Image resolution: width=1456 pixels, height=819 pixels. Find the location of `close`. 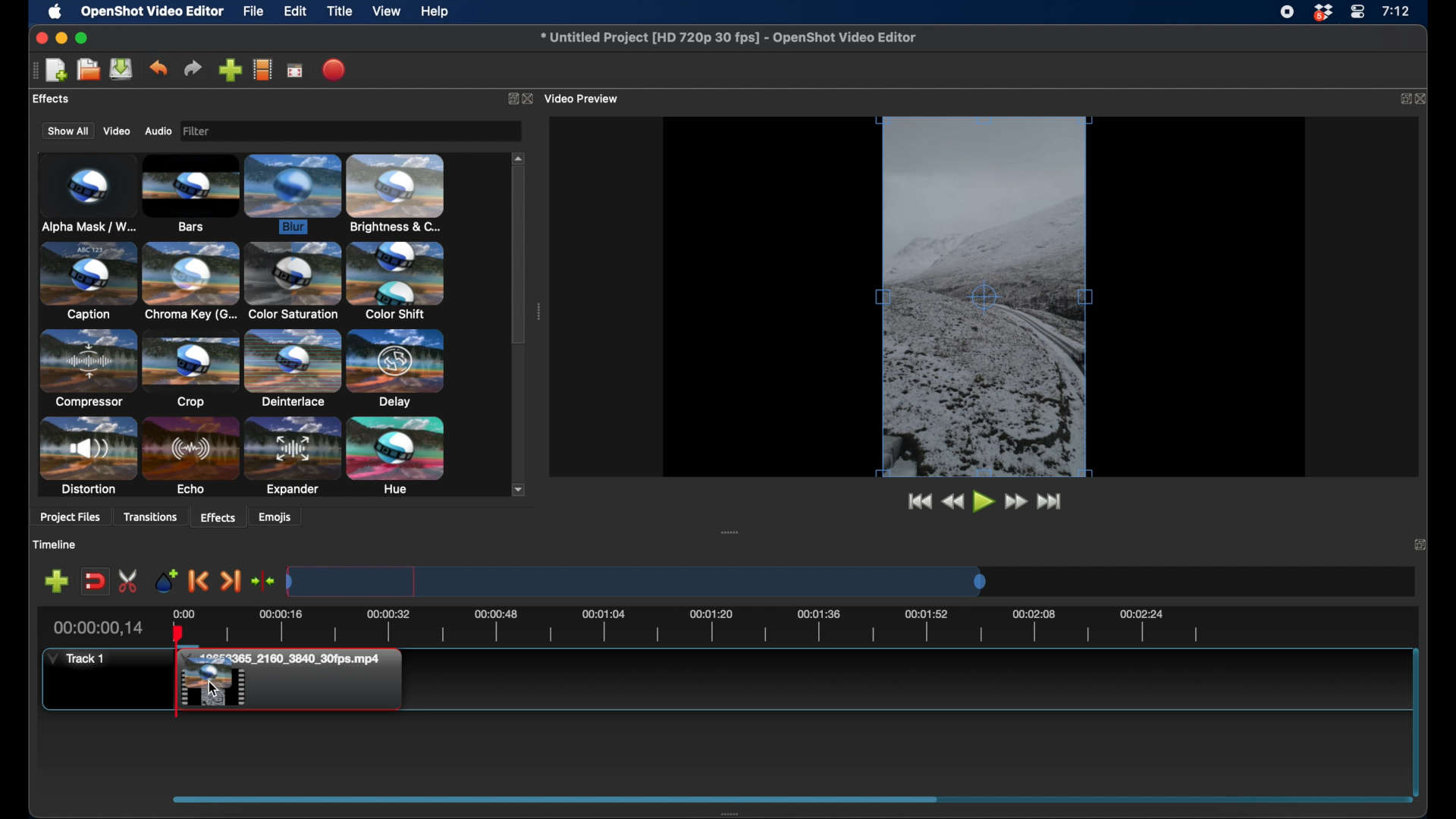

close is located at coordinates (40, 38).